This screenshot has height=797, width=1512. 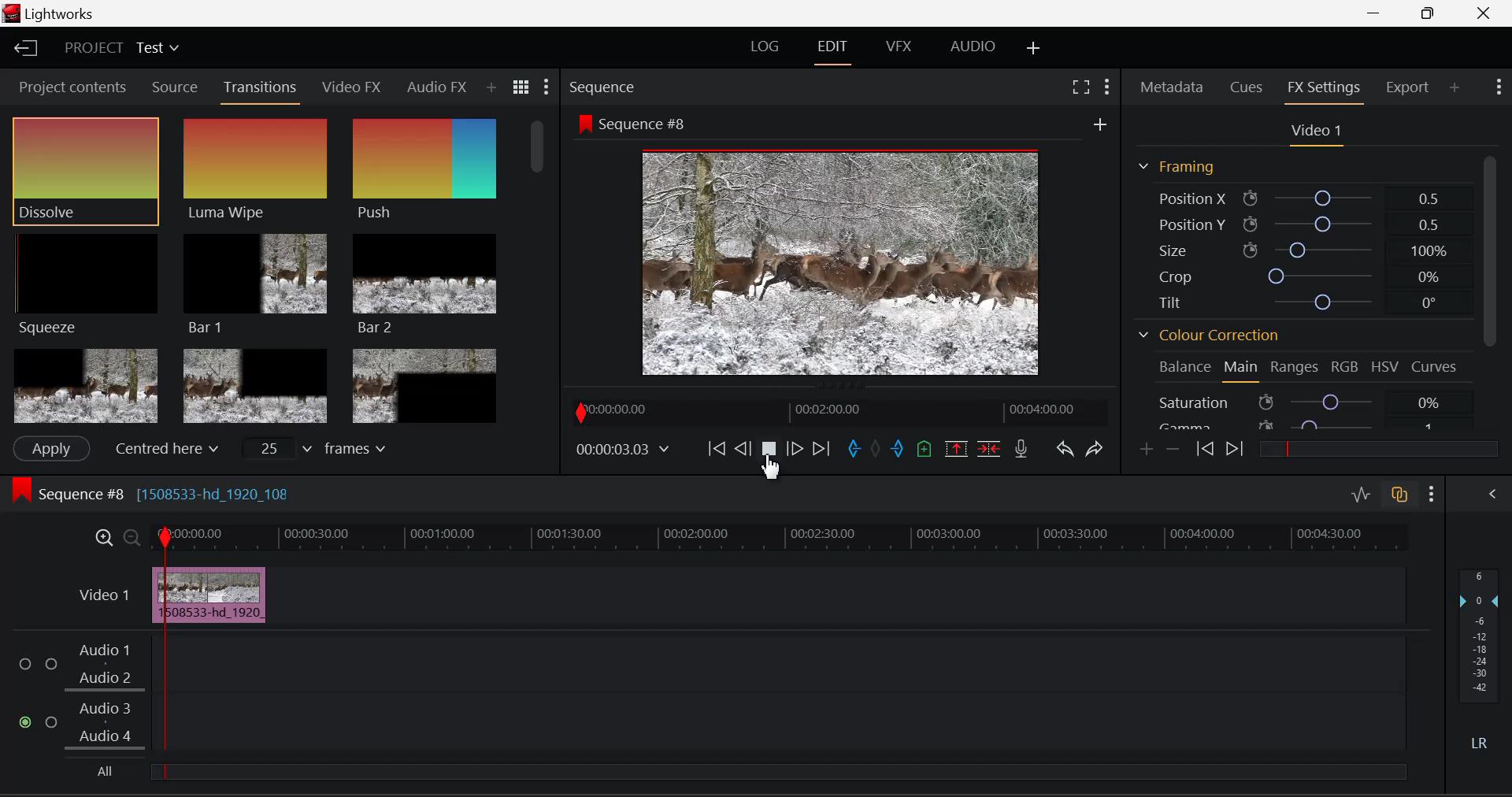 What do you see at coordinates (424, 284) in the screenshot?
I see `Bar 2` at bounding box center [424, 284].